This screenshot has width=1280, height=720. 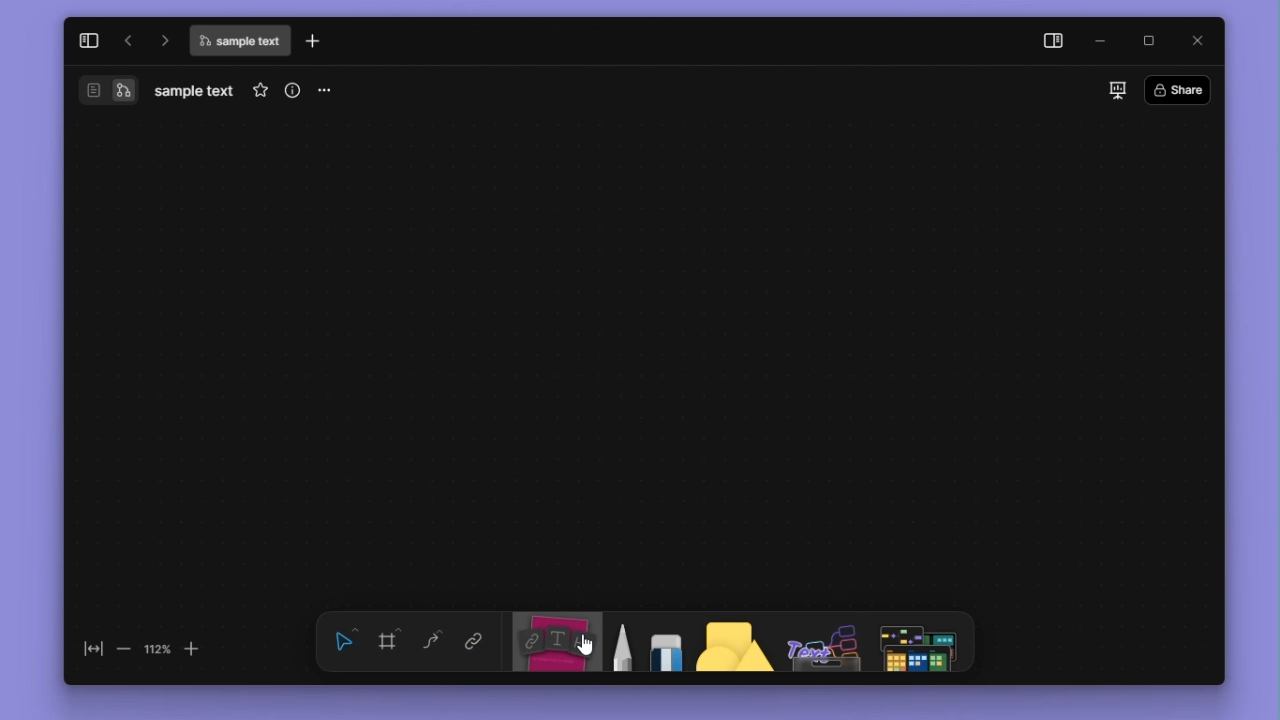 What do you see at coordinates (313, 40) in the screenshot?
I see `new tab` at bounding box center [313, 40].